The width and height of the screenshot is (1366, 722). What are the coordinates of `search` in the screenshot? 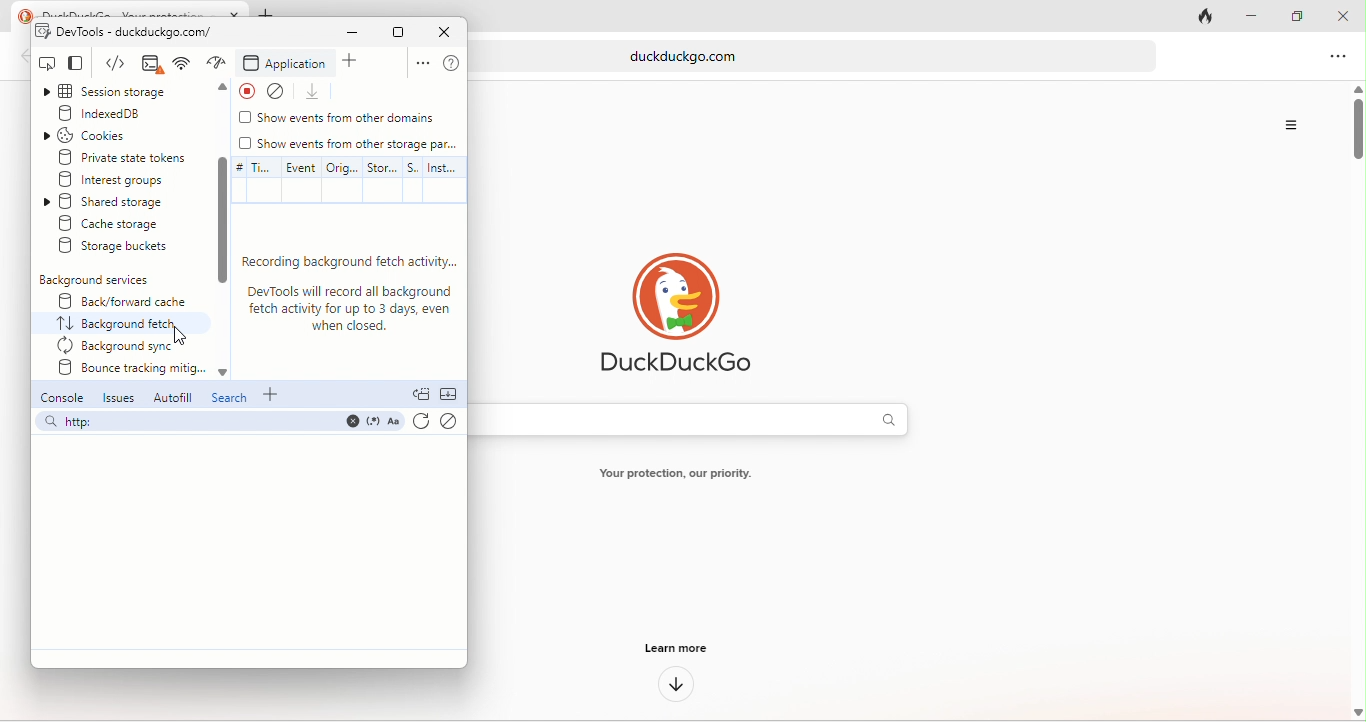 It's located at (229, 400).